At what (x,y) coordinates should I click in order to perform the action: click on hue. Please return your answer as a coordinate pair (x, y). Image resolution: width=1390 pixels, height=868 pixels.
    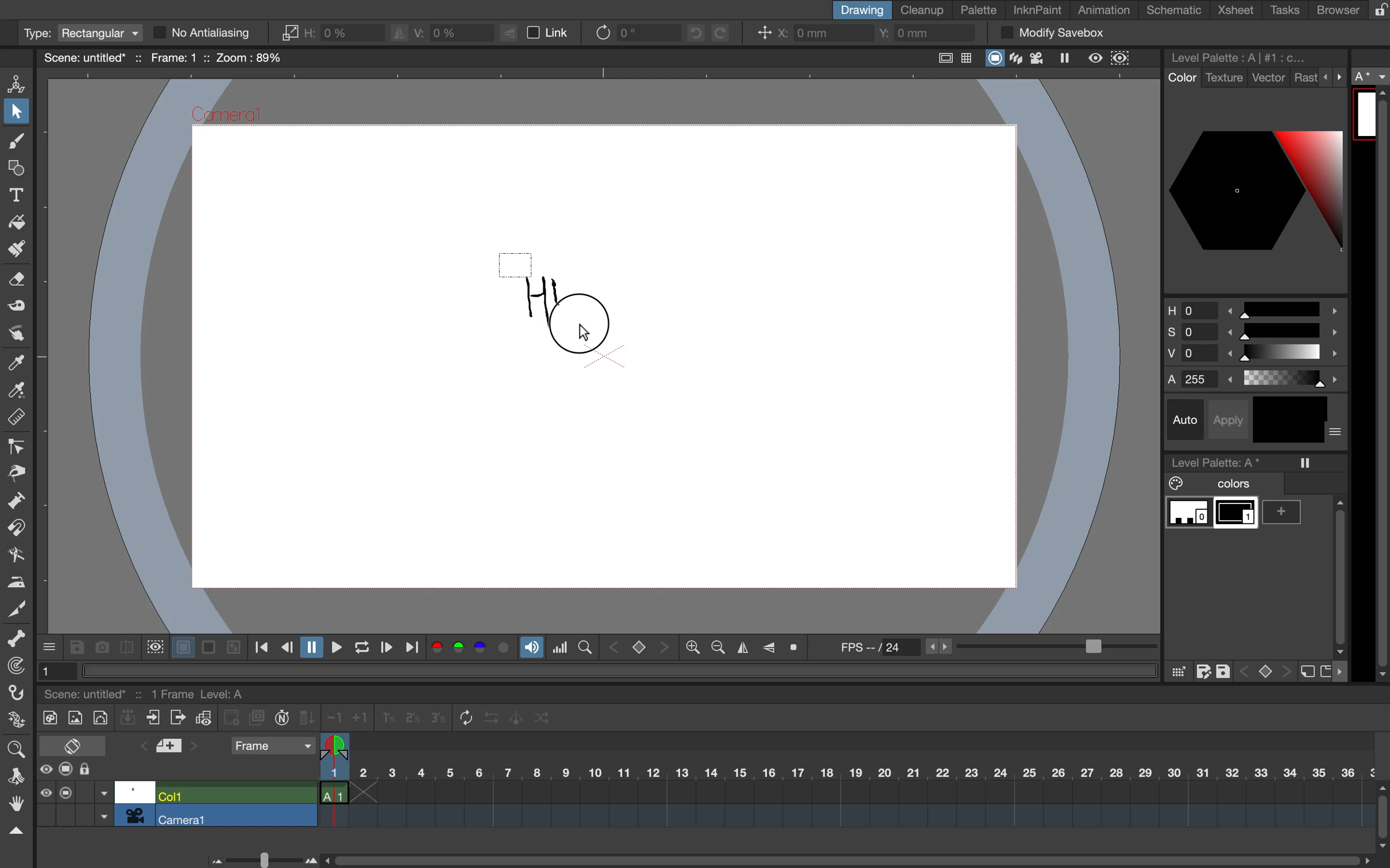
    Looking at the image, I should click on (1253, 308).